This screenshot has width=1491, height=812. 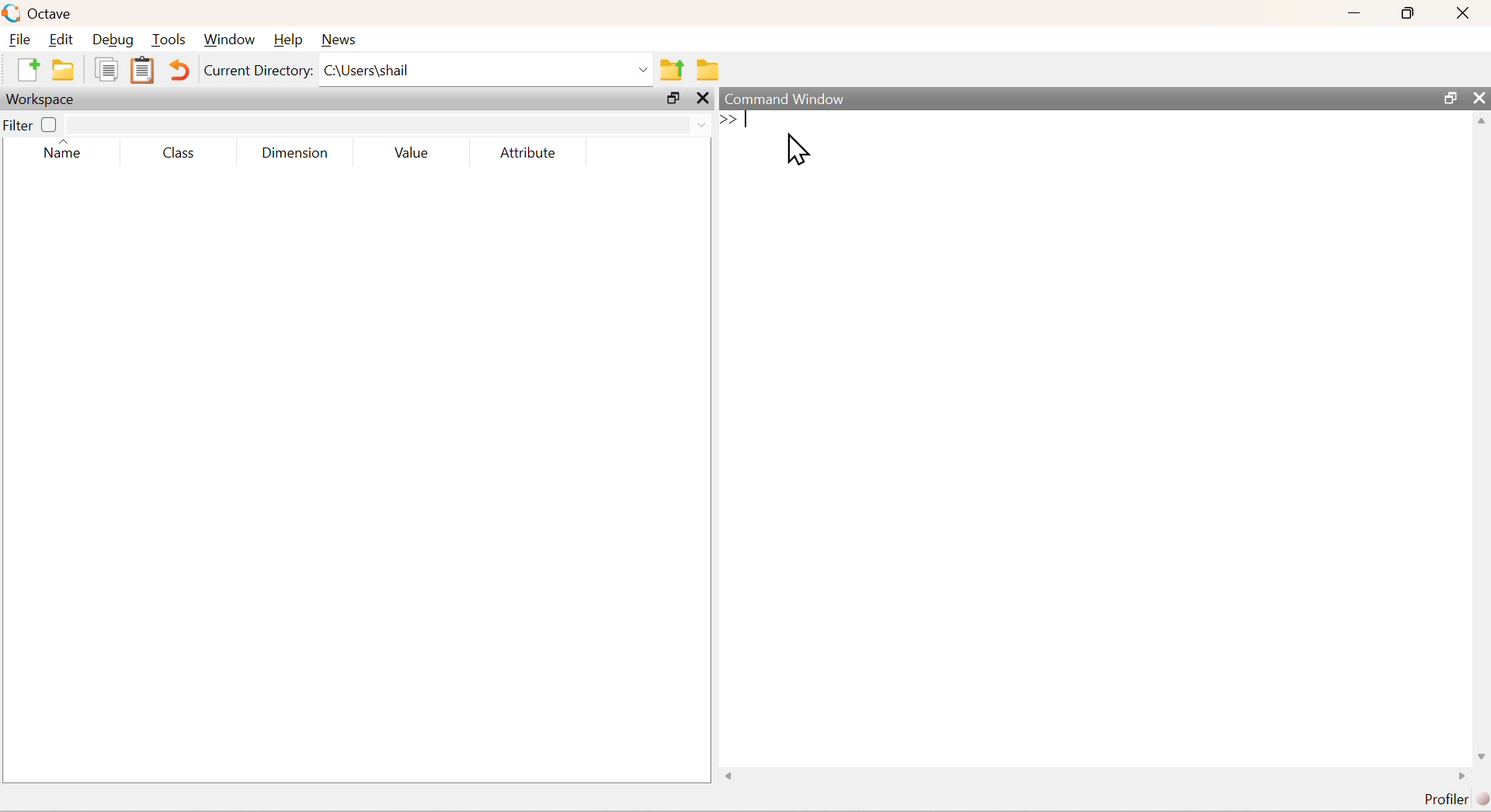 I want to click on open and existing file, so click(x=68, y=69).